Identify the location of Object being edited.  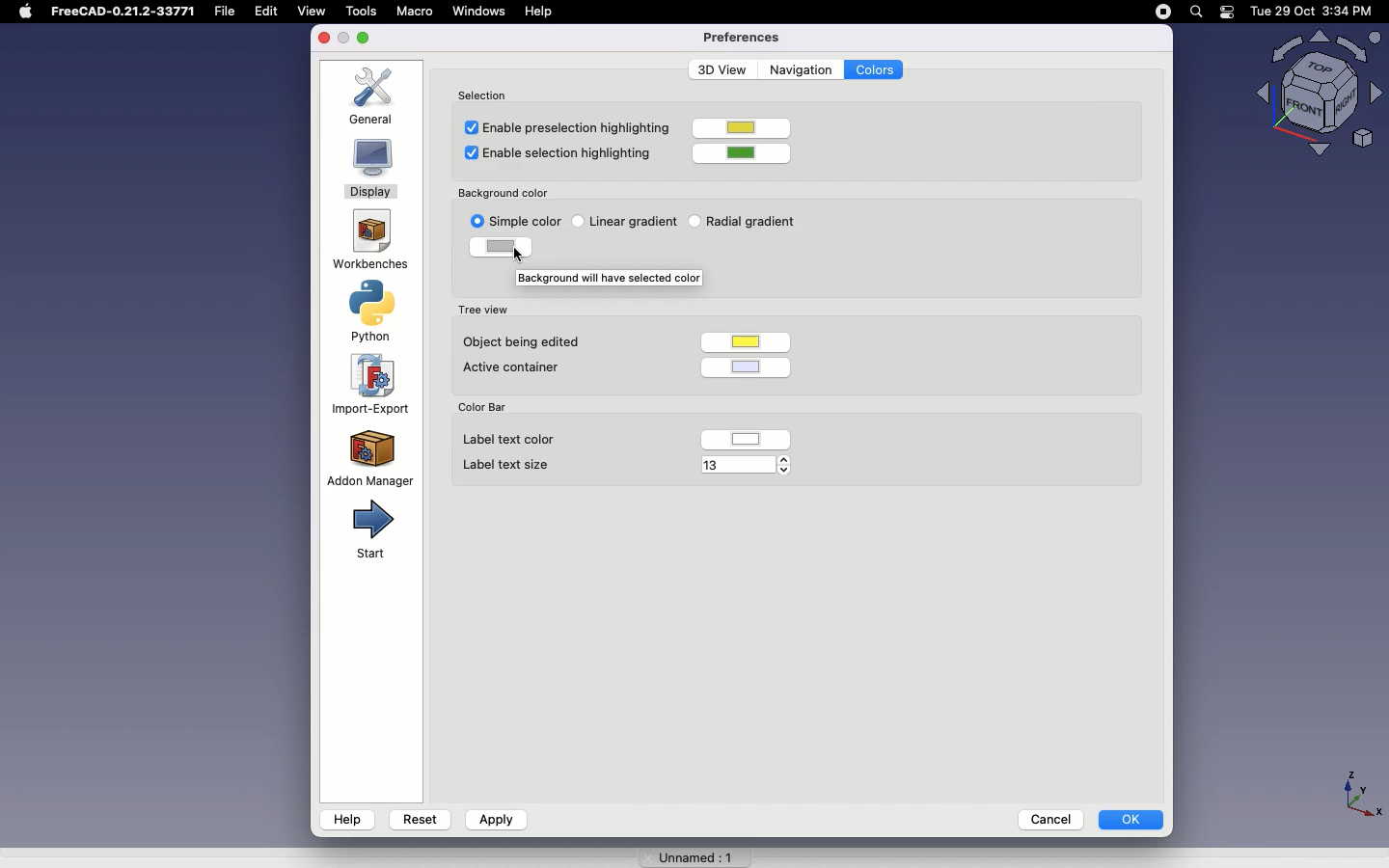
(527, 341).